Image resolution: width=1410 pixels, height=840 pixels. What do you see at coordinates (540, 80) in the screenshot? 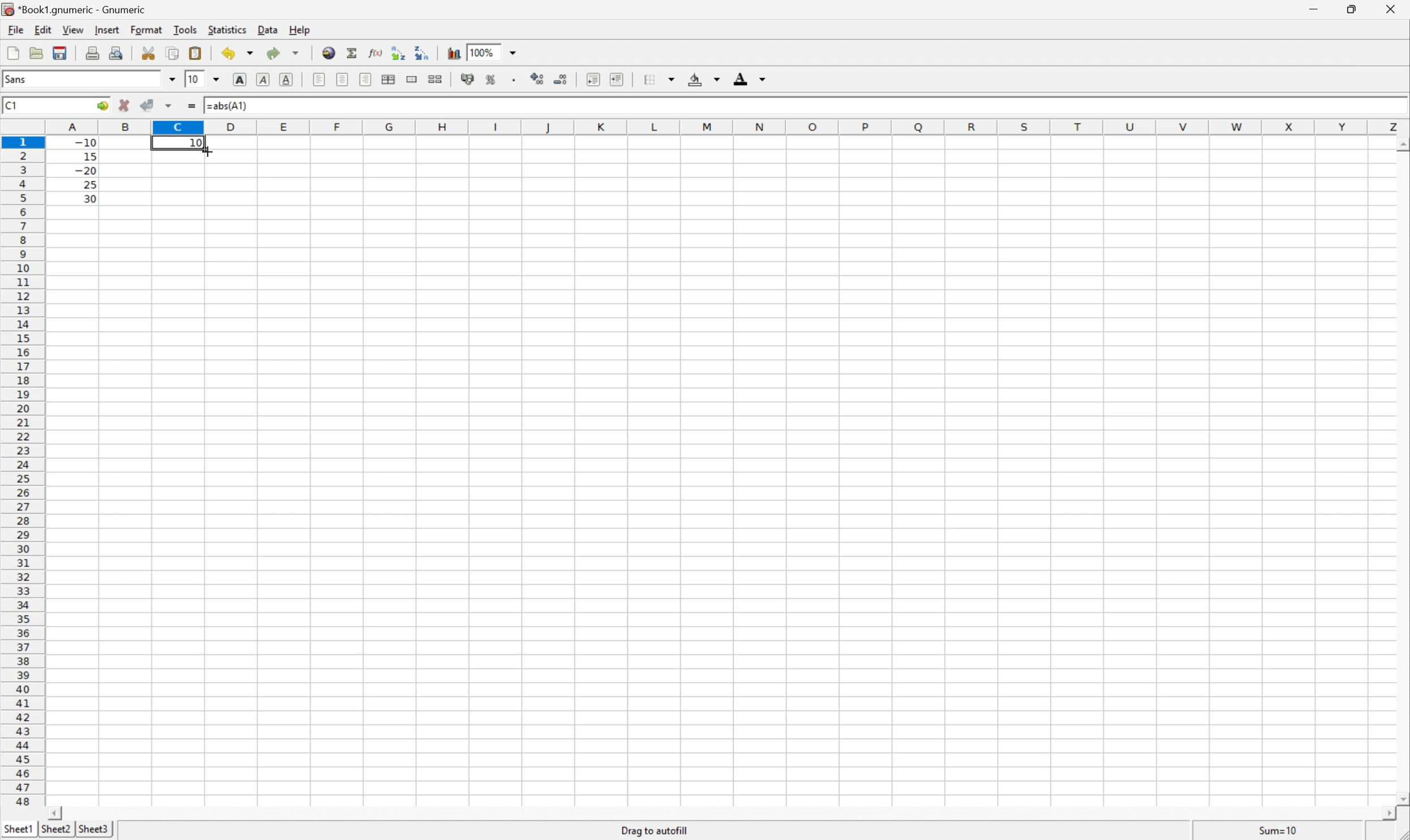
I see `Increase the number of decimals displayed` at bounding box center [540, 80].